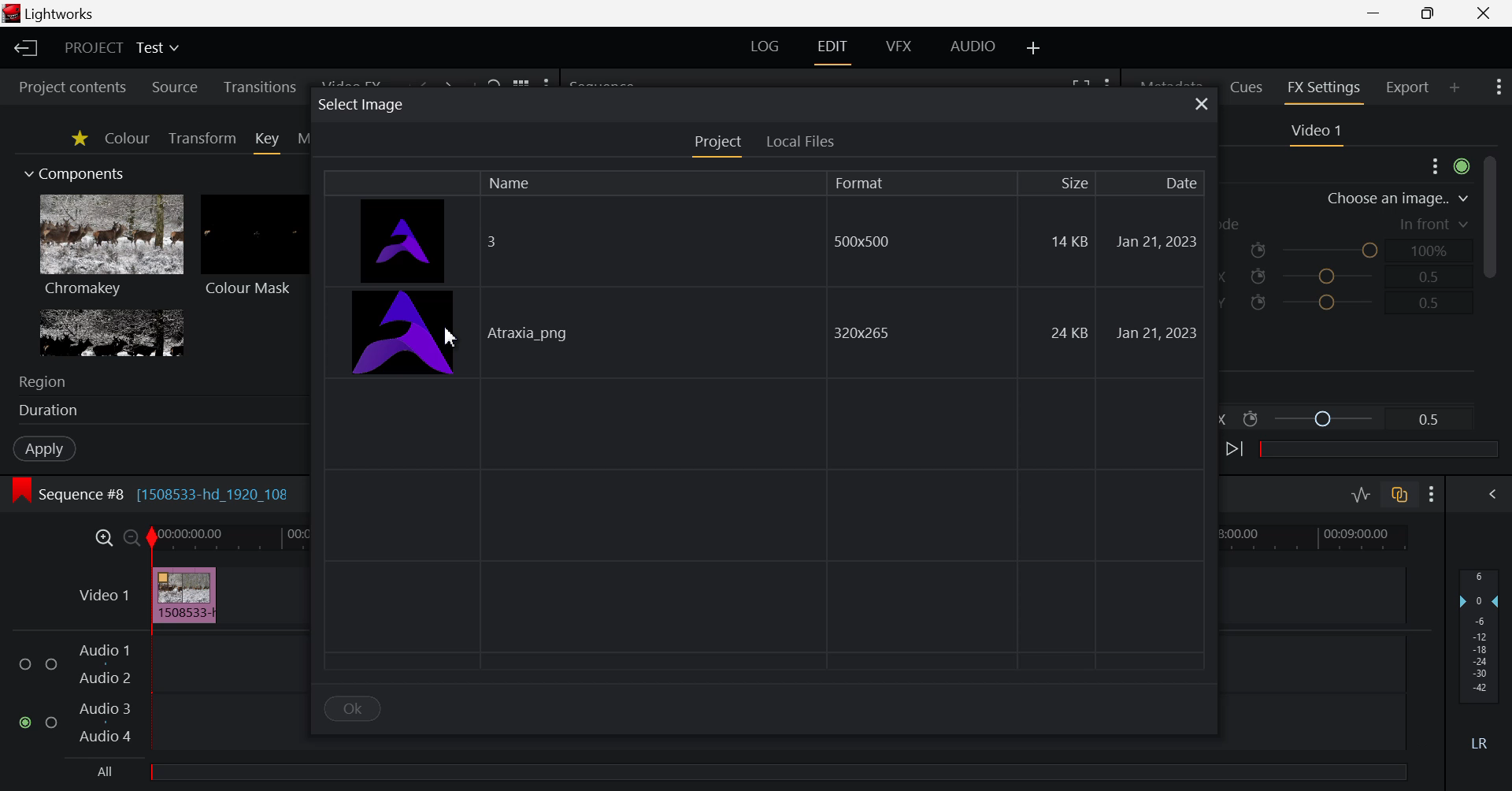 The width and height of the screenshot is (1512, 791). What do you see at coordinates (110, 332) in the screenshot?
I see `Lumakey` at bounding box center [110, 332].